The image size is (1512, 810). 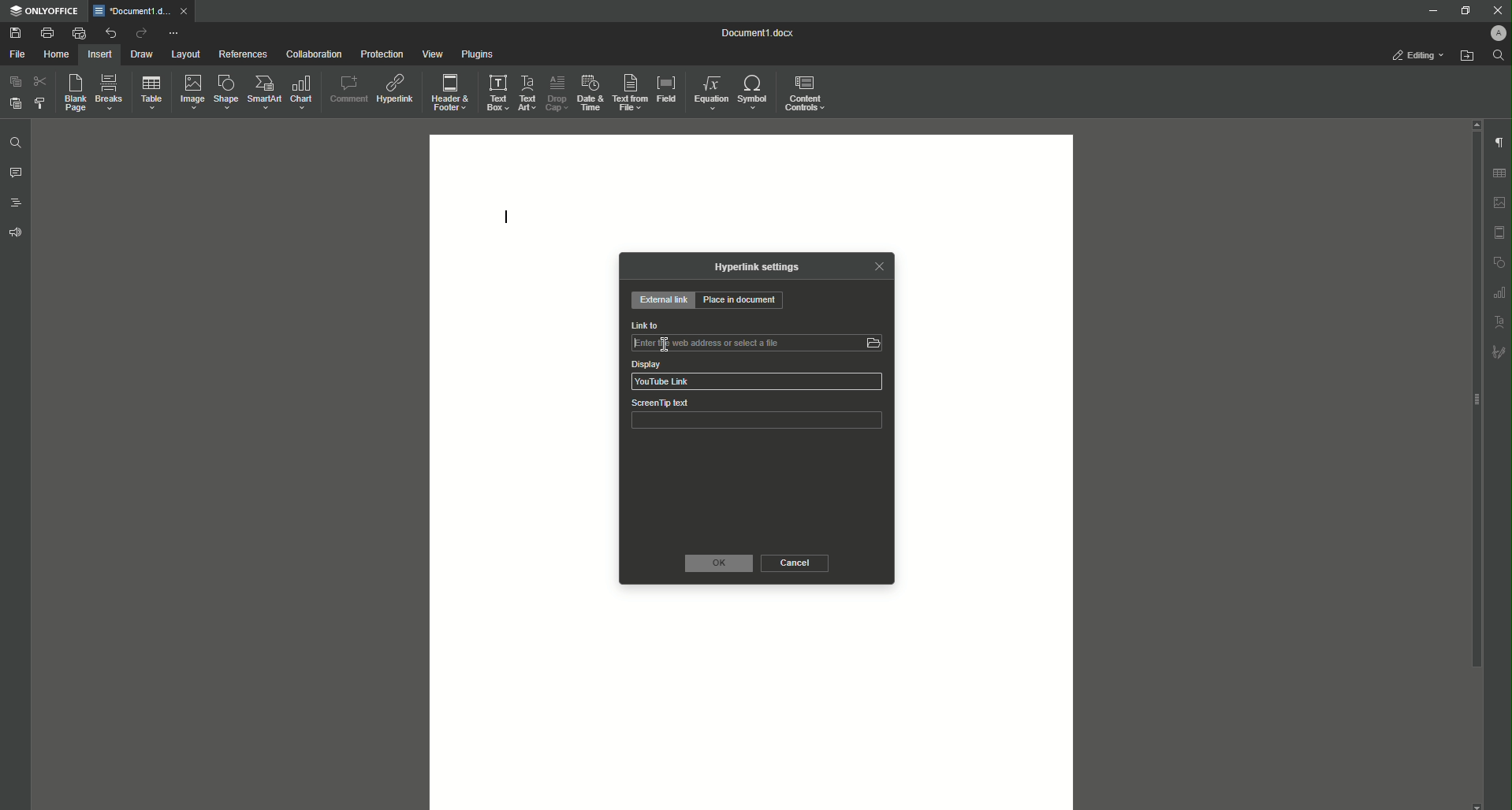 I want to click on Close, so click(x=883, y=267).